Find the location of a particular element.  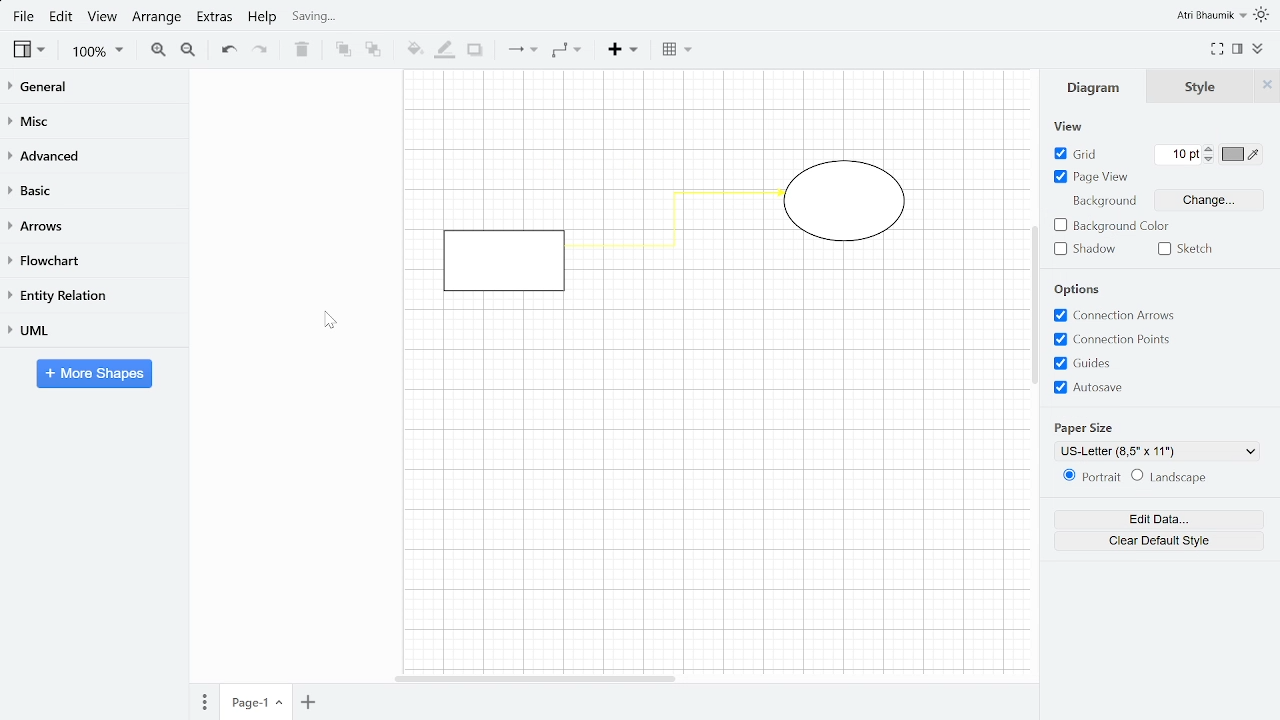

Grid is located at coordinates (1074, 153).